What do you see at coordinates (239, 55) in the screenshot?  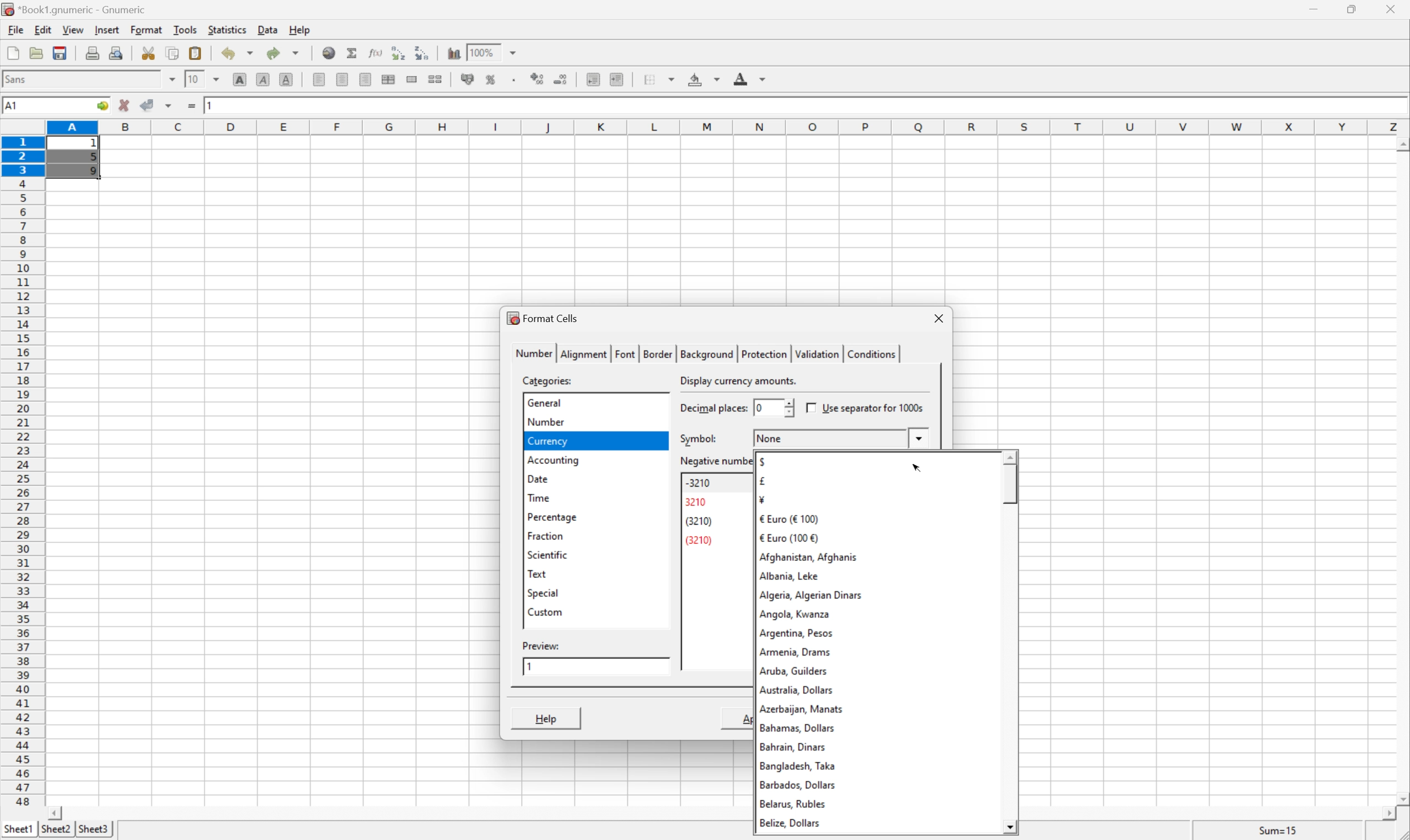 I see `undo` at bounding box center [239, 55].